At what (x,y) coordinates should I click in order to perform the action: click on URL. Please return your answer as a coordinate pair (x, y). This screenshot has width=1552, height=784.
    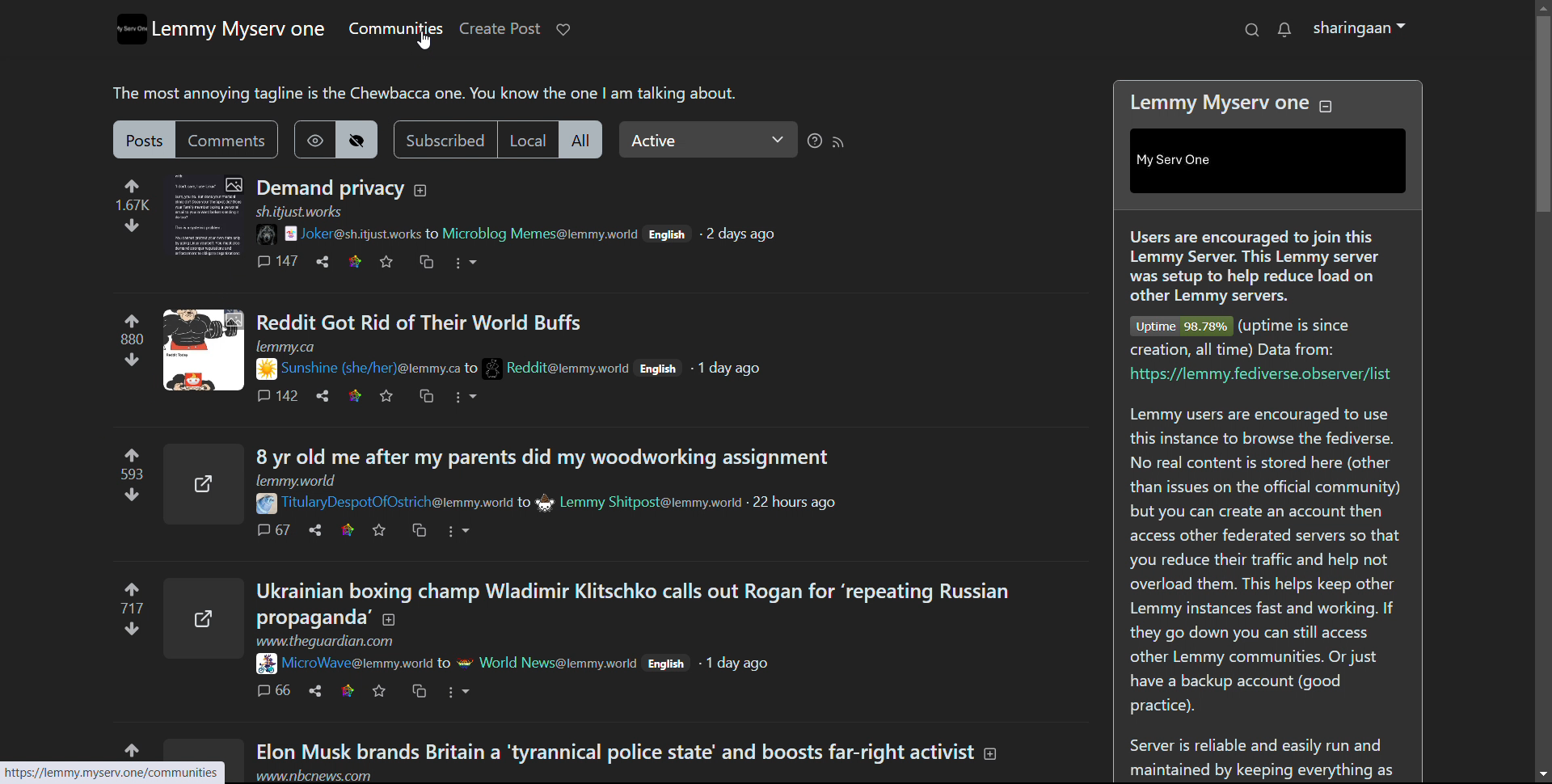
    Looking at the image, I should click on (346, 642).